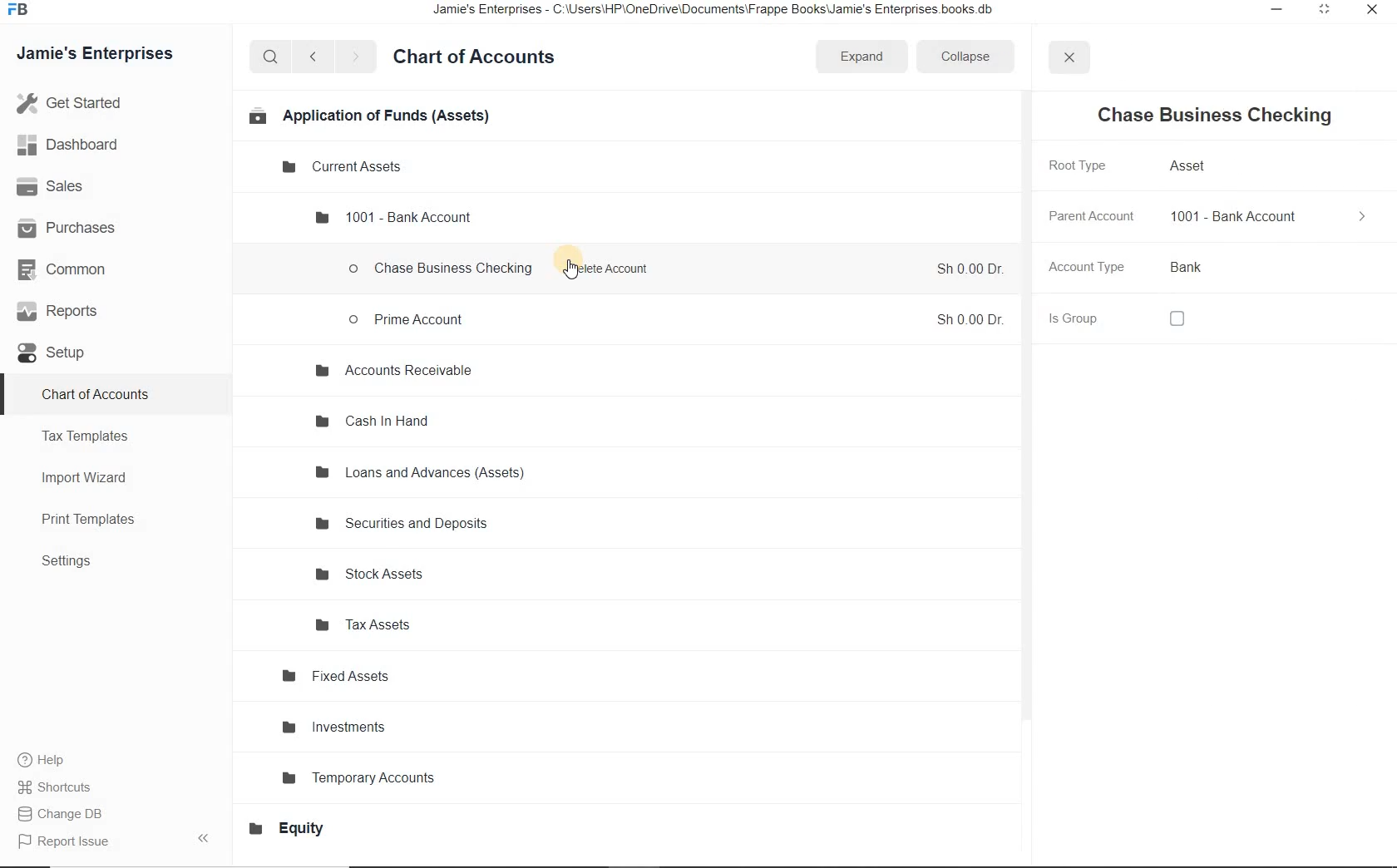 The image size is (1397, 868). I want to click on Purchases, so click(75, 227).